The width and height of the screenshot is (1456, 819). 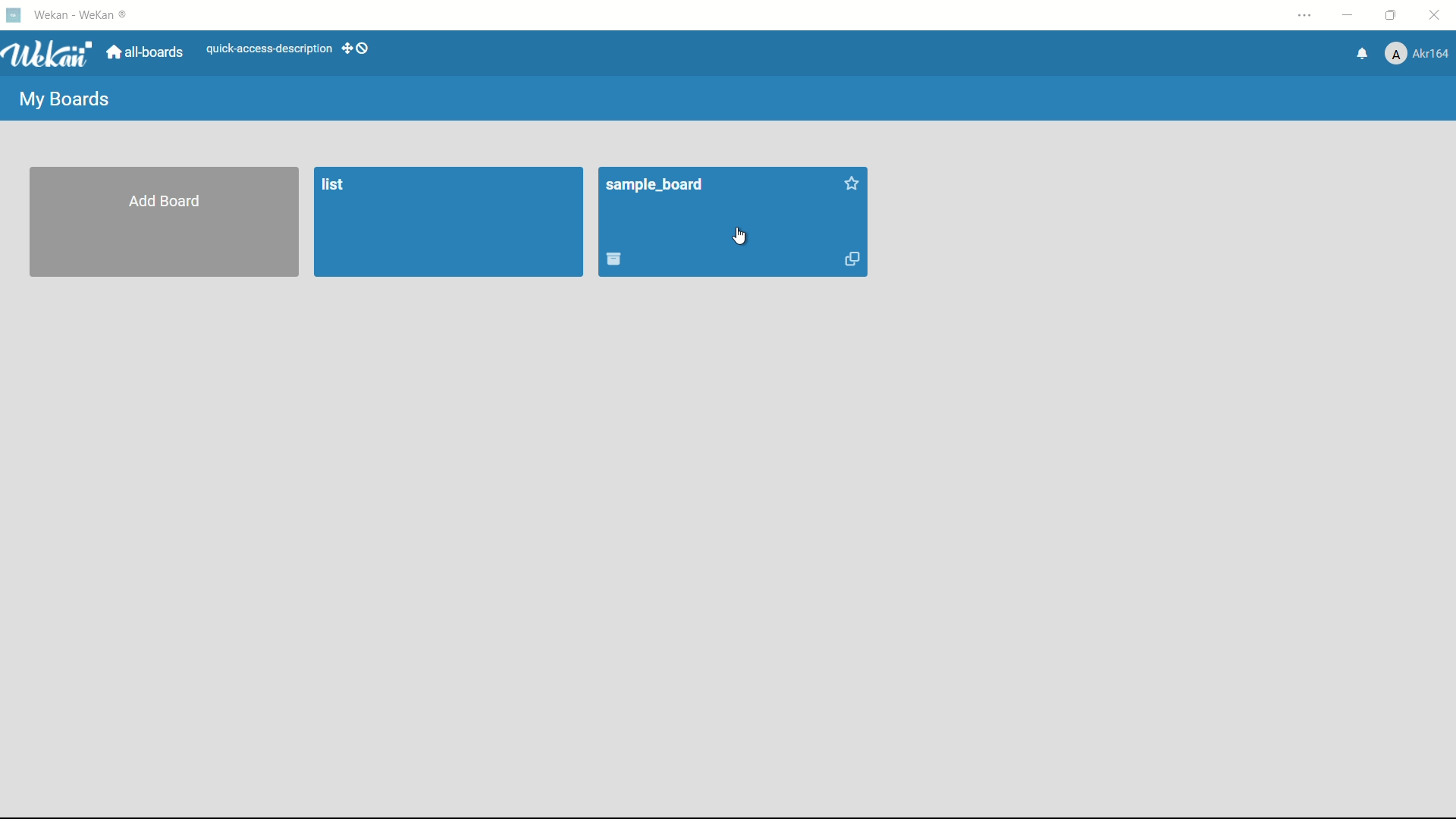 What do you see at coordinates (163, 201) in the screenshot?
I see `add board` at bounding box center [163, 201].